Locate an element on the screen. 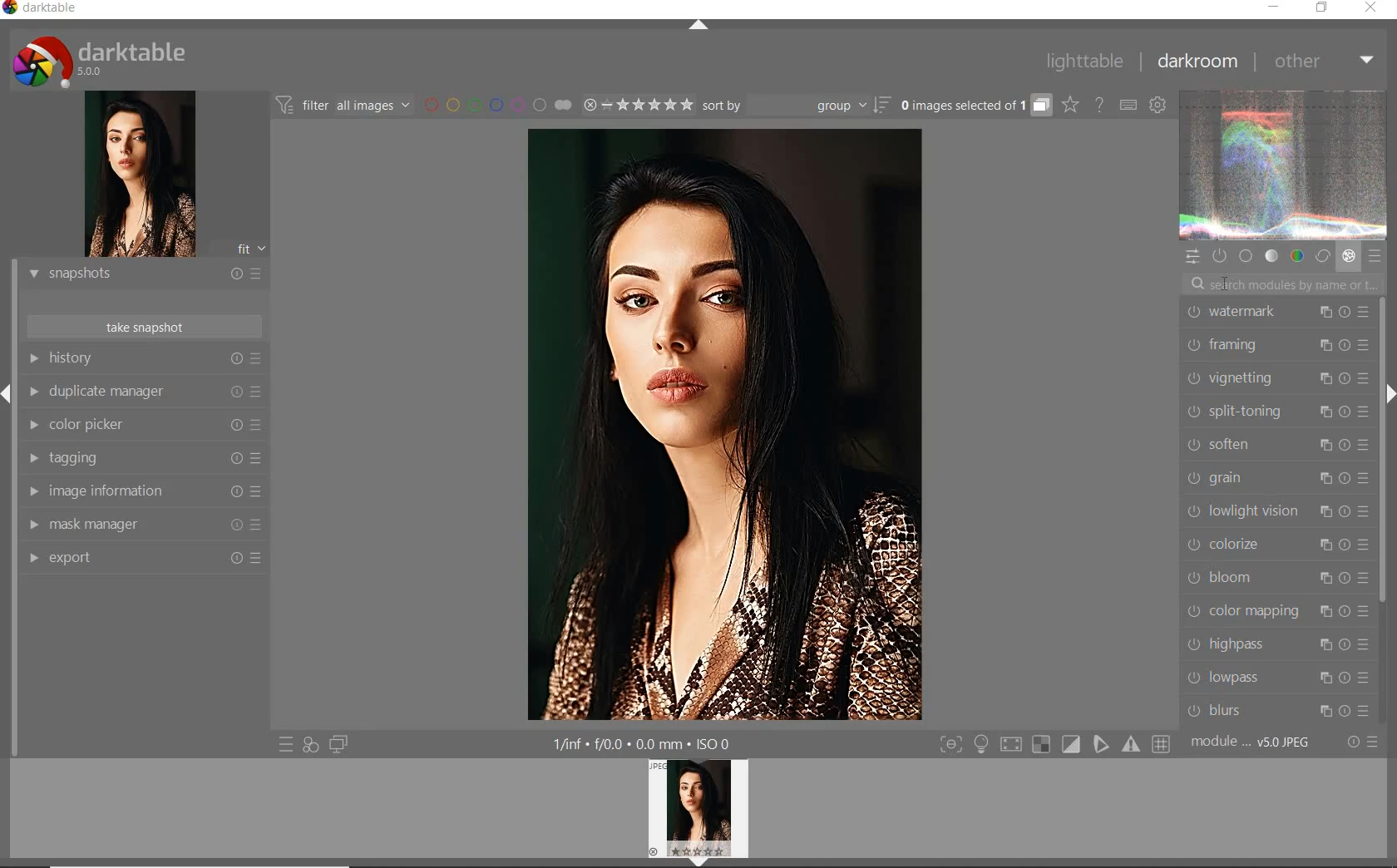 The image size is (1397, 868). filter images based on their modules is located at coordinates (344, 104).